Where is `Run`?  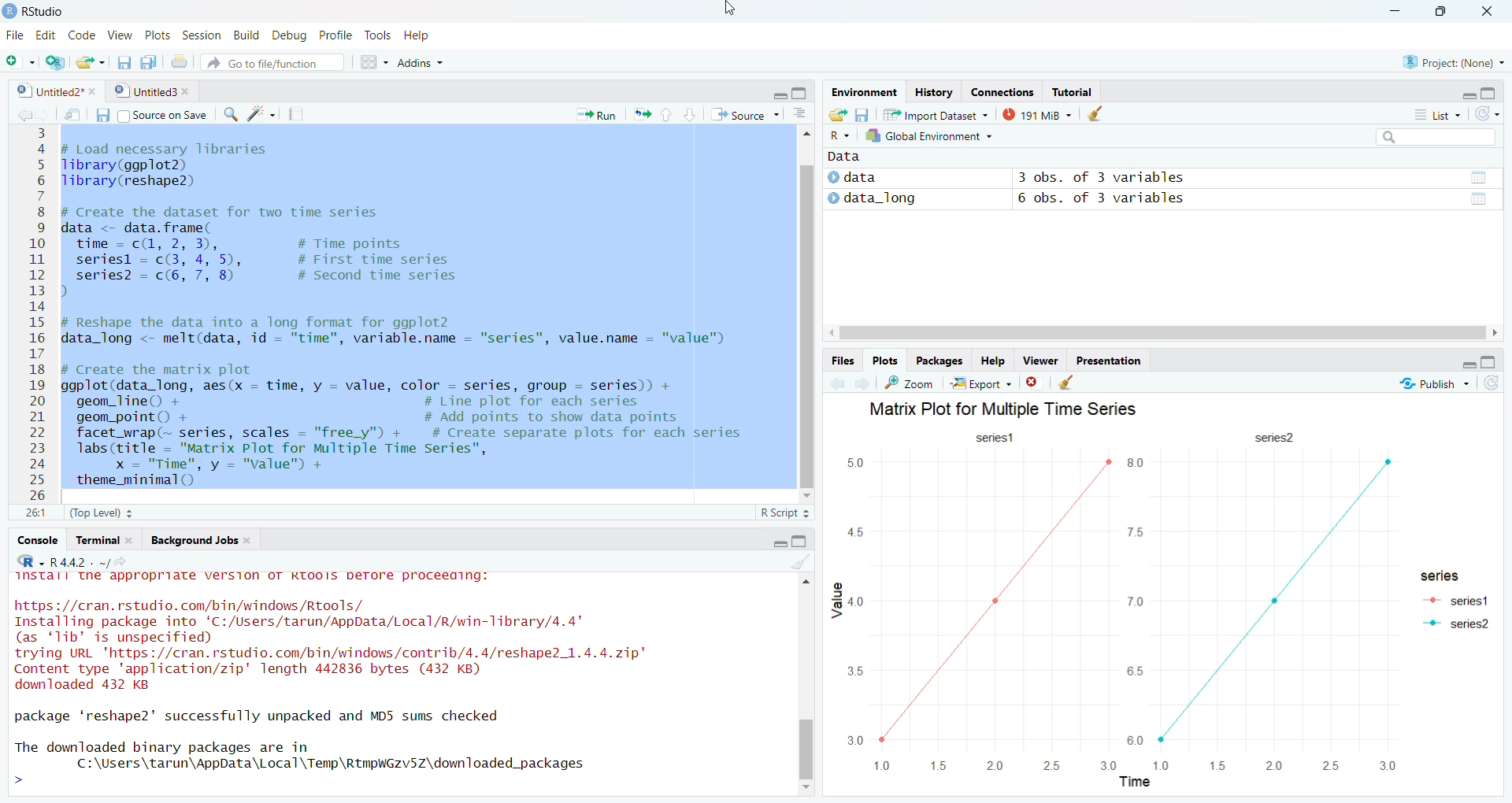 Run is located at coordinates (598, 114).